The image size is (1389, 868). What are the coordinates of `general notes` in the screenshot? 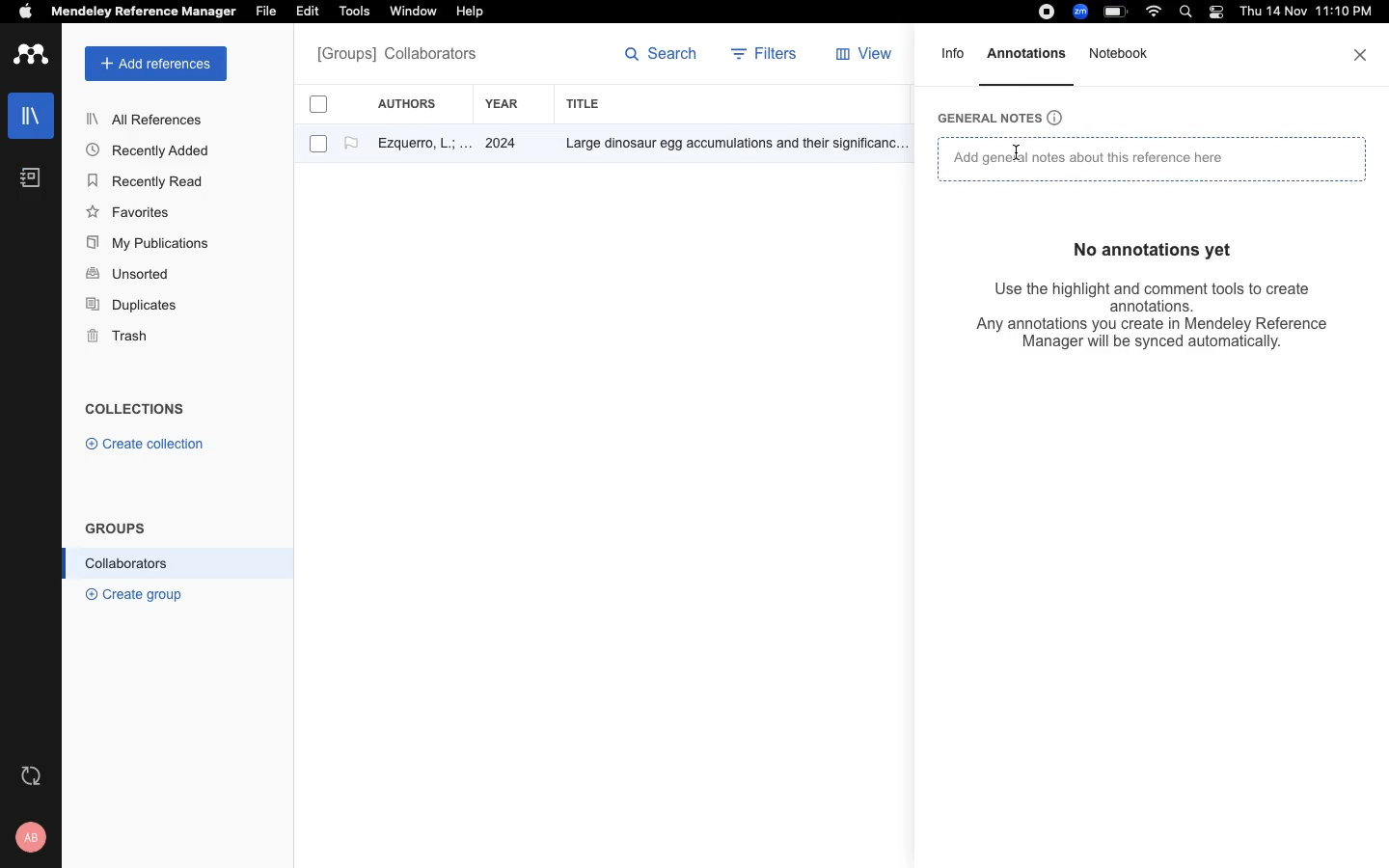 It's located at (1010, 116).